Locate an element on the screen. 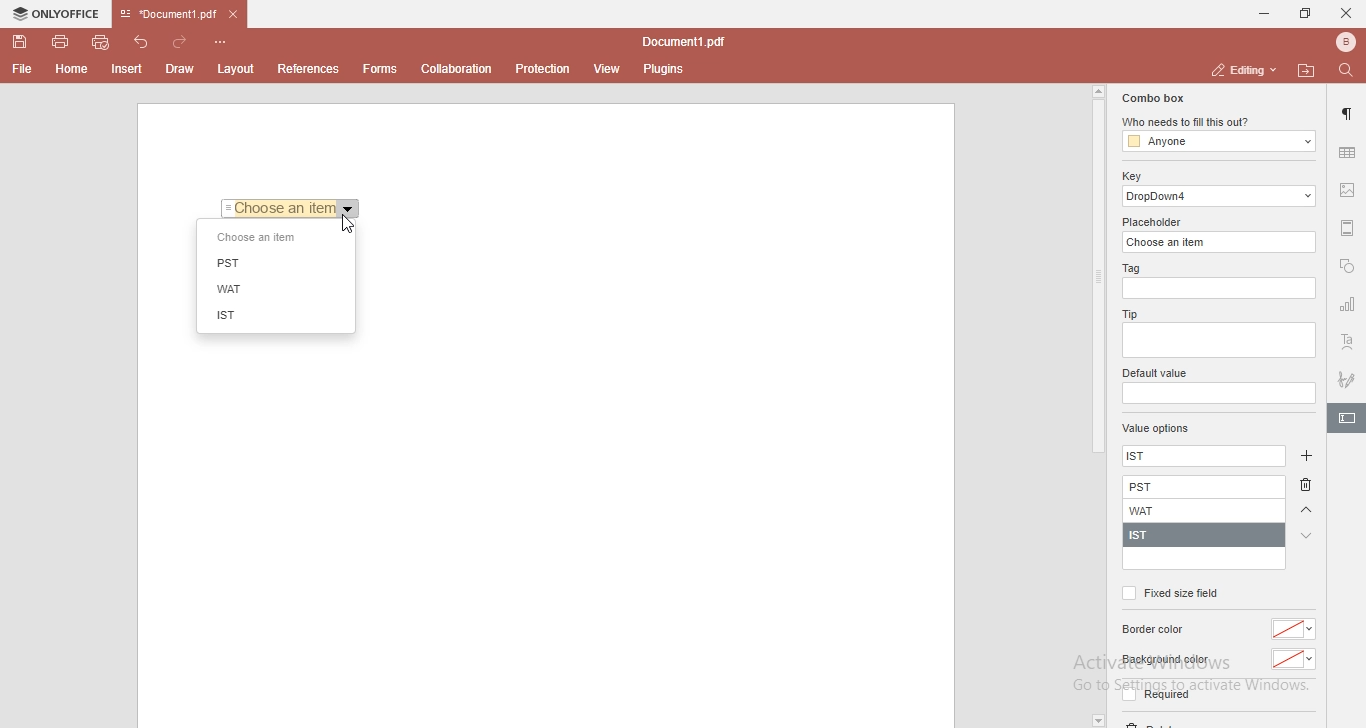  dropdown clicked is located at coordinates (350, 208).